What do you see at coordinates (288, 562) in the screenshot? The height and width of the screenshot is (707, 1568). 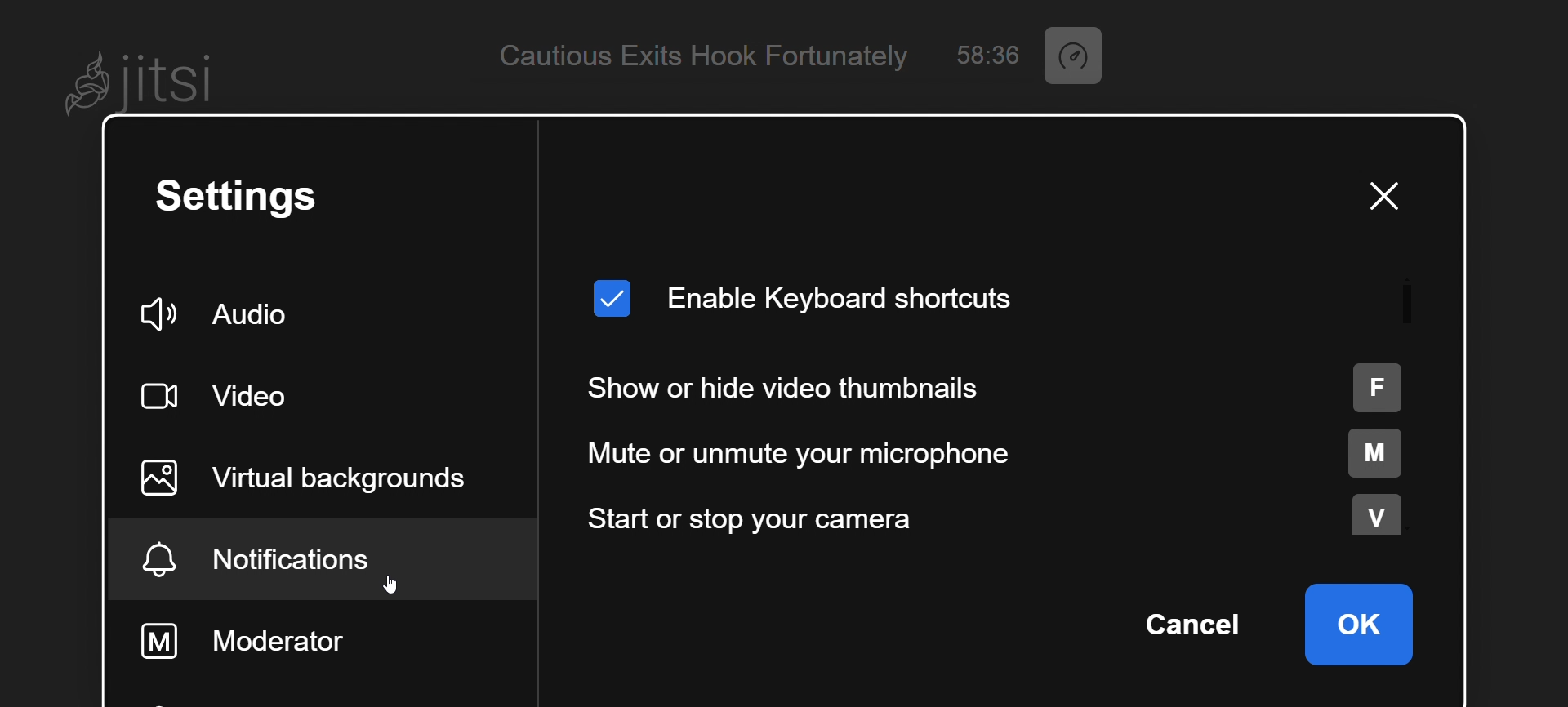 I see `notification` at bounding box center [288, 562].